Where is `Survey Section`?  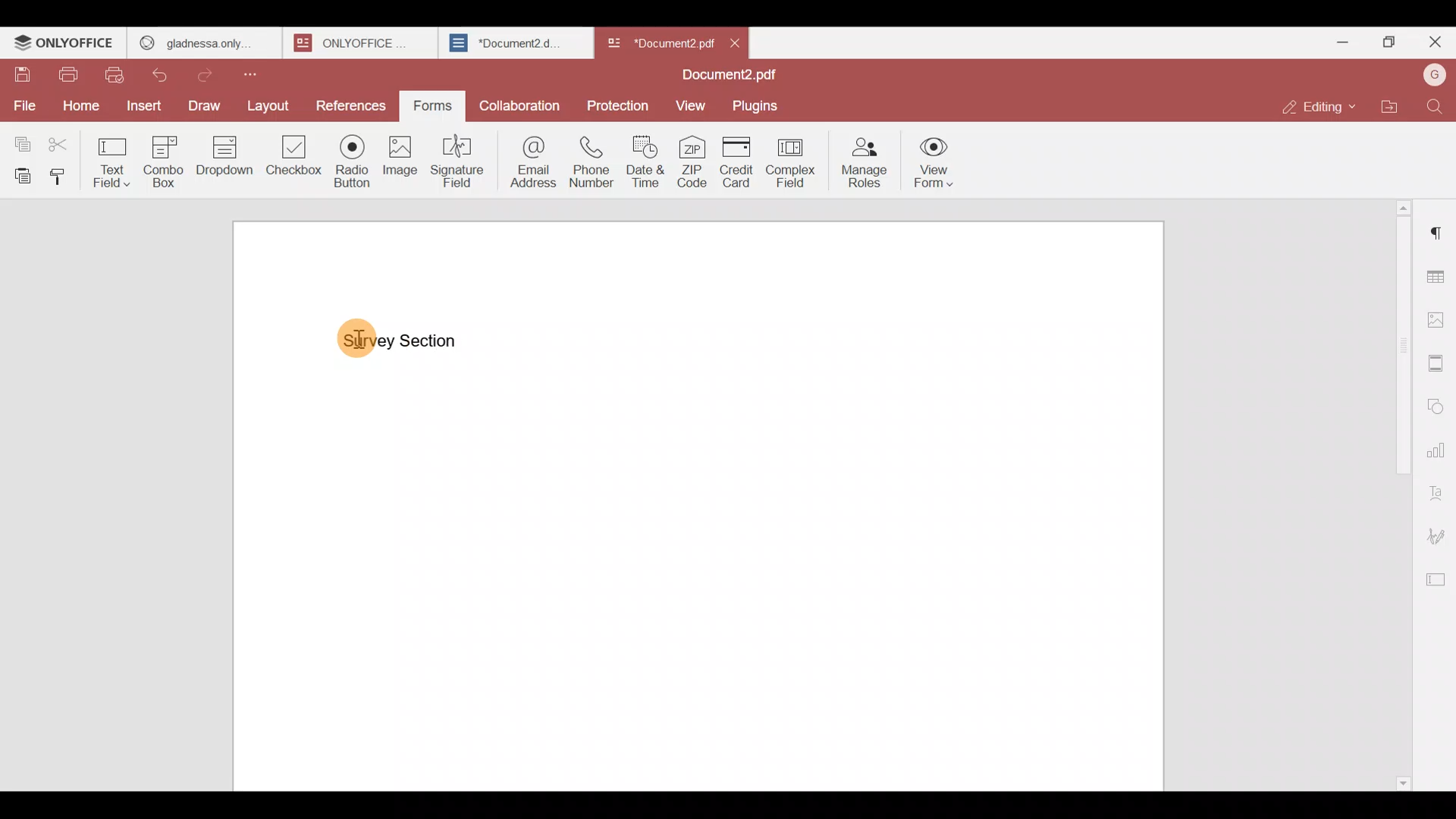 Survey Section is located at coordinates (402, 341).